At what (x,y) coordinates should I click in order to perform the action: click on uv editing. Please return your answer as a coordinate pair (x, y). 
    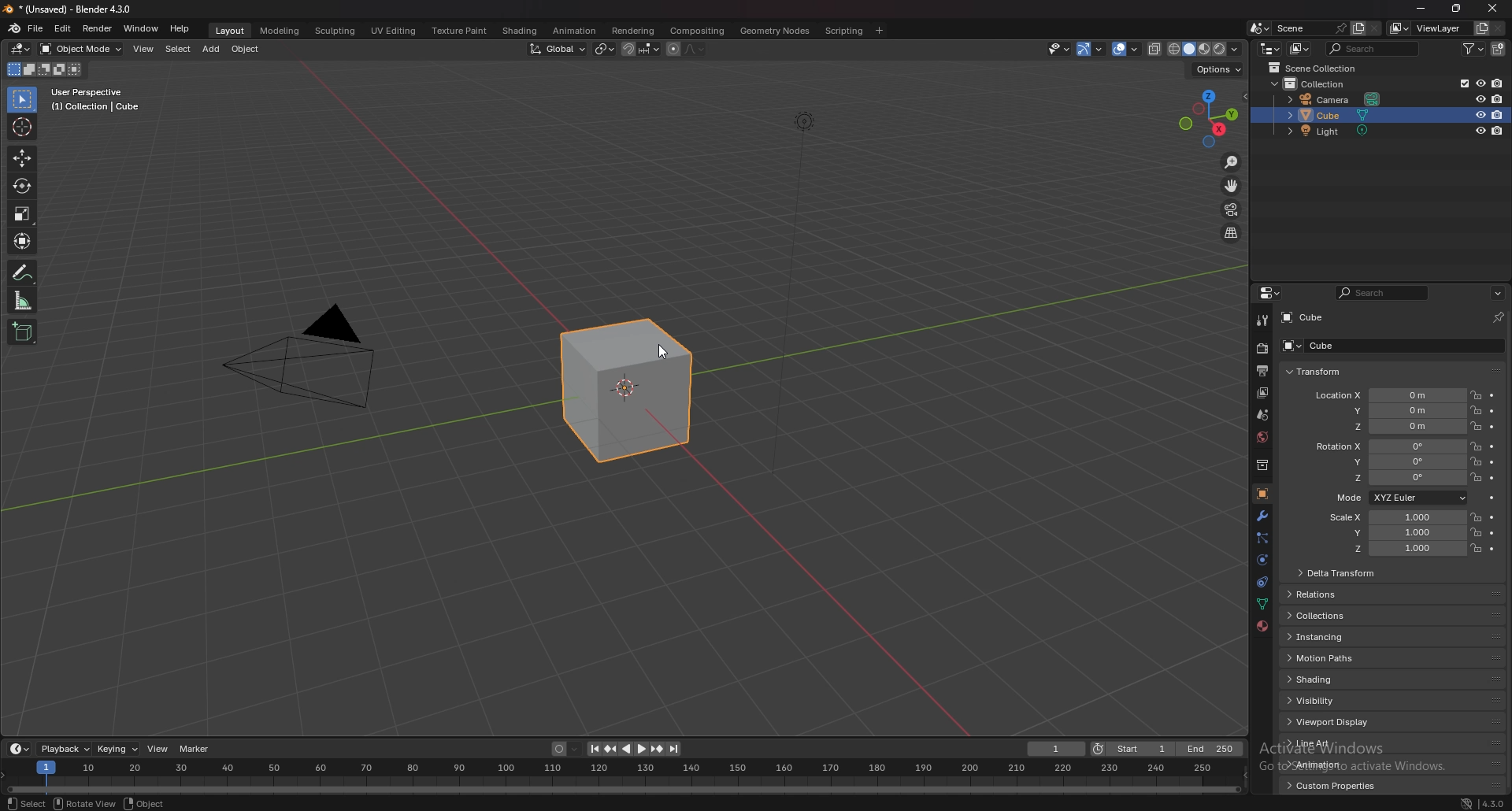
    Looking at the image, I should click on (395, 31).